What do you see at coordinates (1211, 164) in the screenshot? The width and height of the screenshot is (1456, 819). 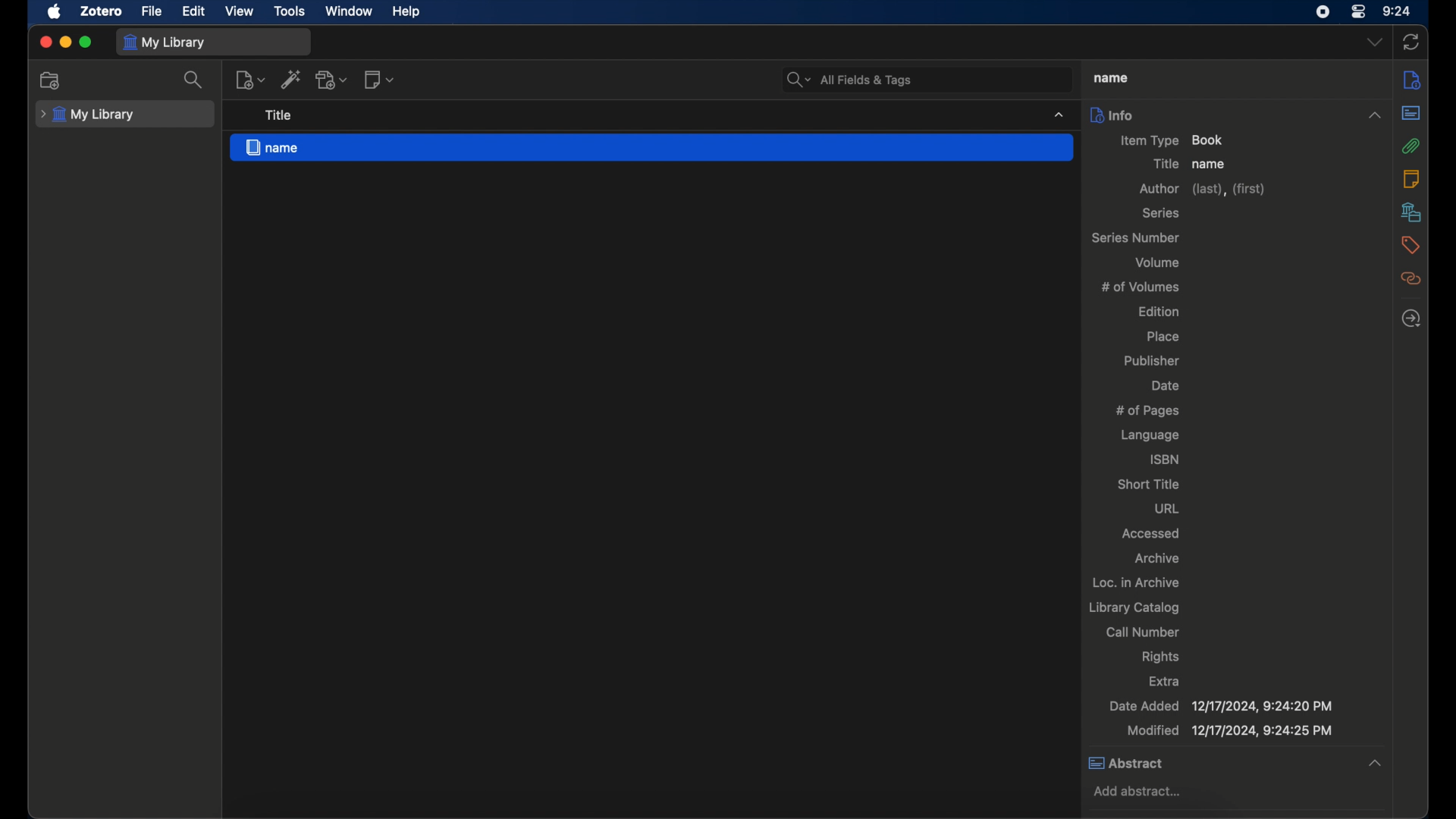 I see `name` at bounding box center [1211, 164].